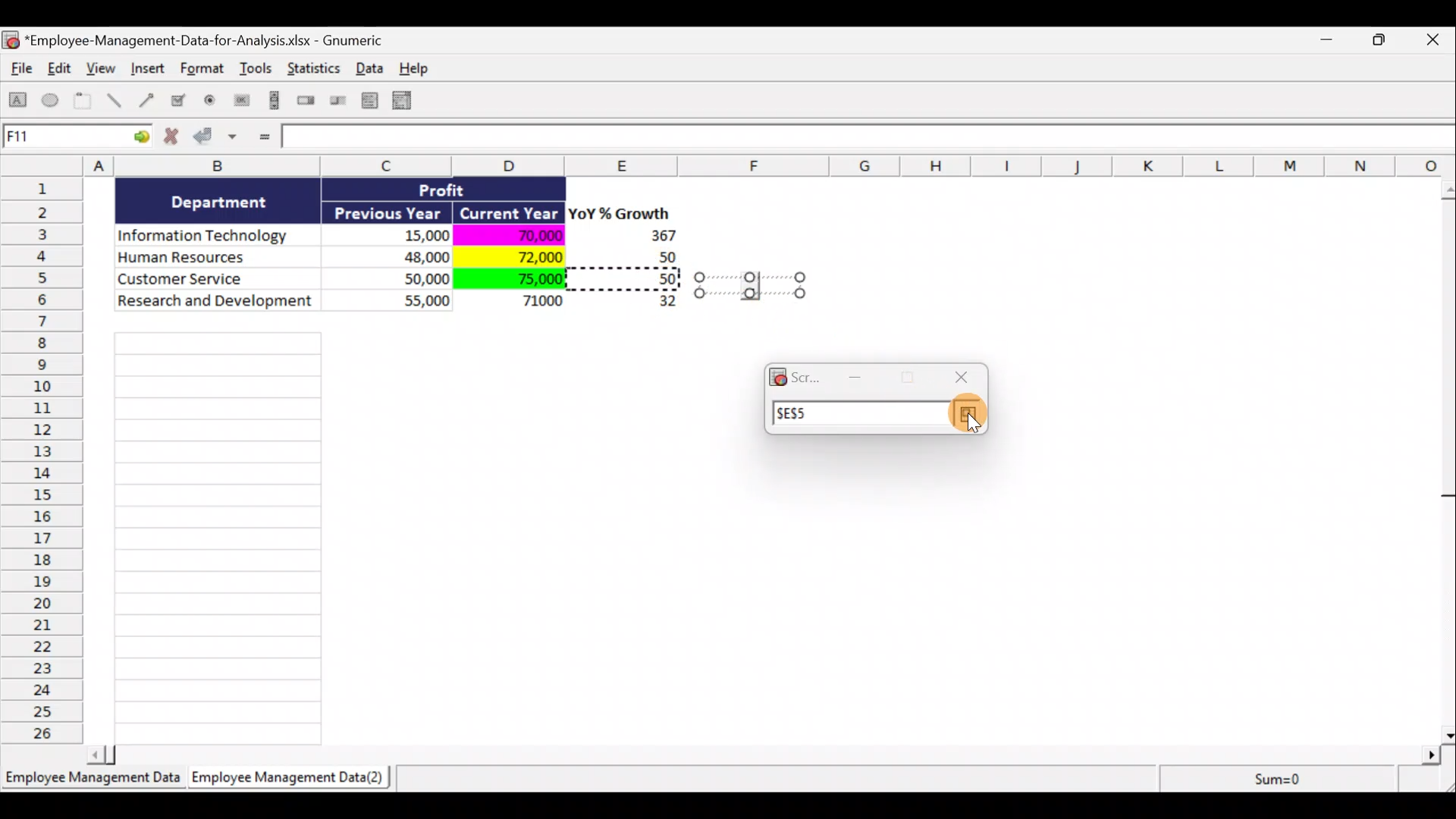 Image resolution: width=1456 pixels, height=819 pixels. I want to click on Edit, so click(61, 70).